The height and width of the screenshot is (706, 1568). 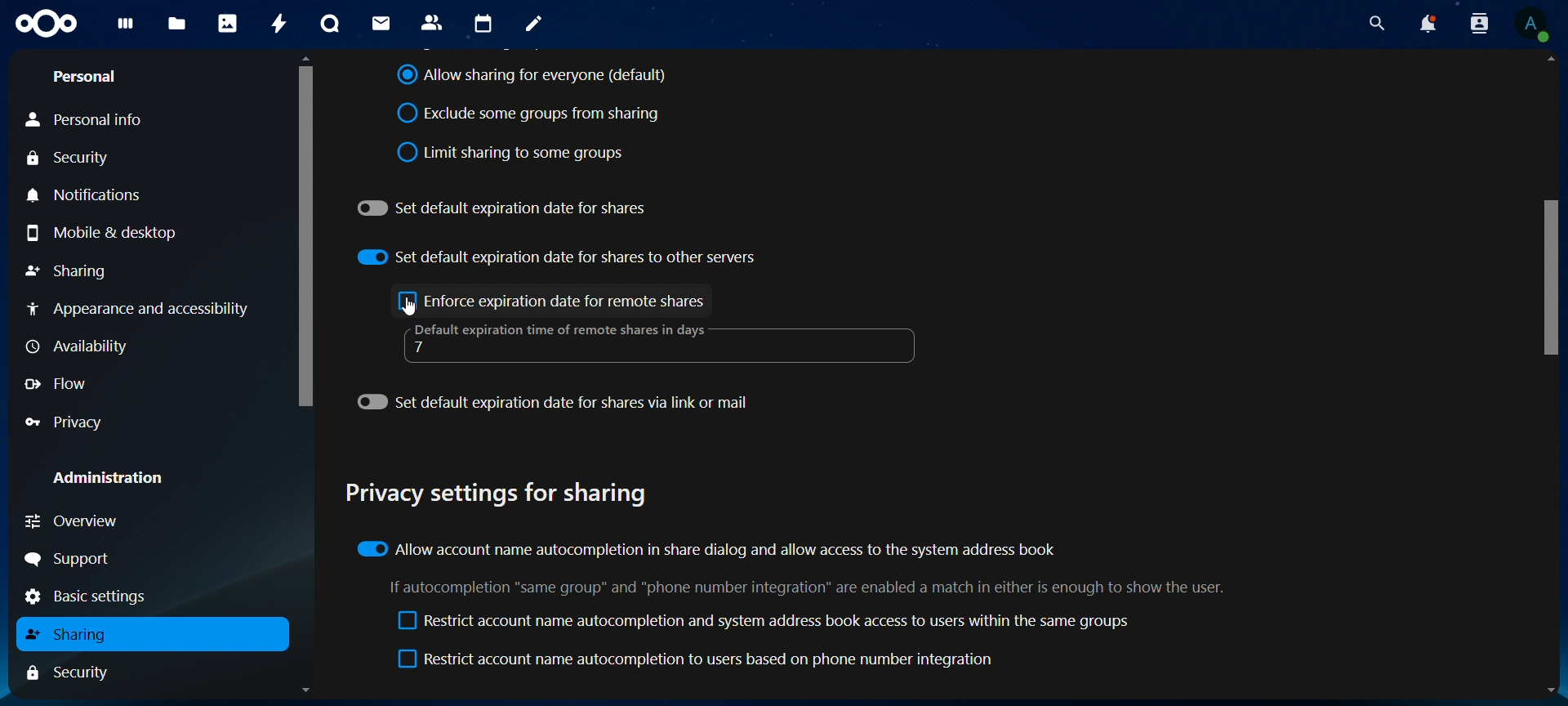 What do you see at coordinates (710, 550) in the screenshot?
I see `Allow account name autocompletion` at bounding box center [710, 550].